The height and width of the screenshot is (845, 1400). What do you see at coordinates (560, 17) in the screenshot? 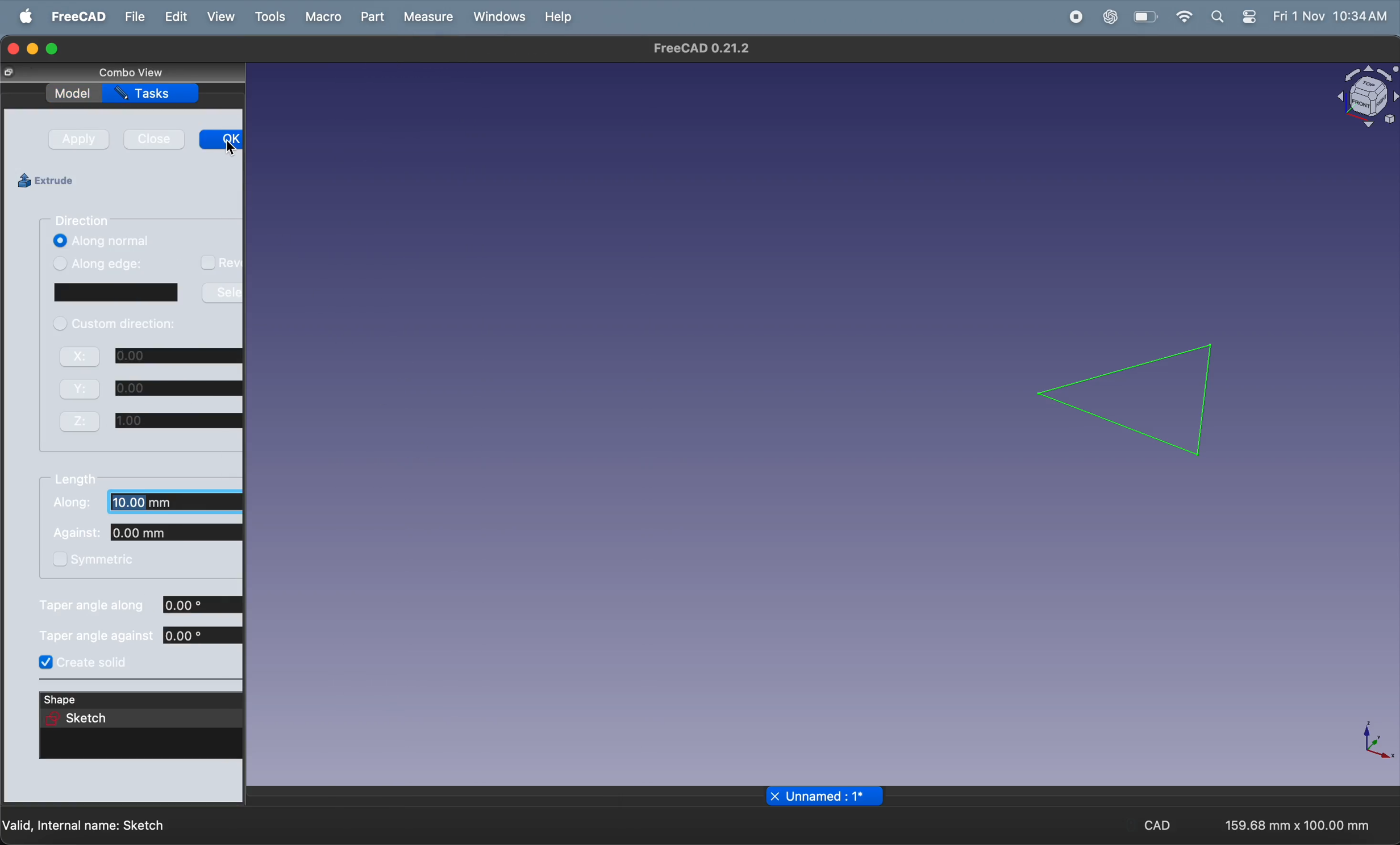
I see `help` at bounding box center [560, 17].